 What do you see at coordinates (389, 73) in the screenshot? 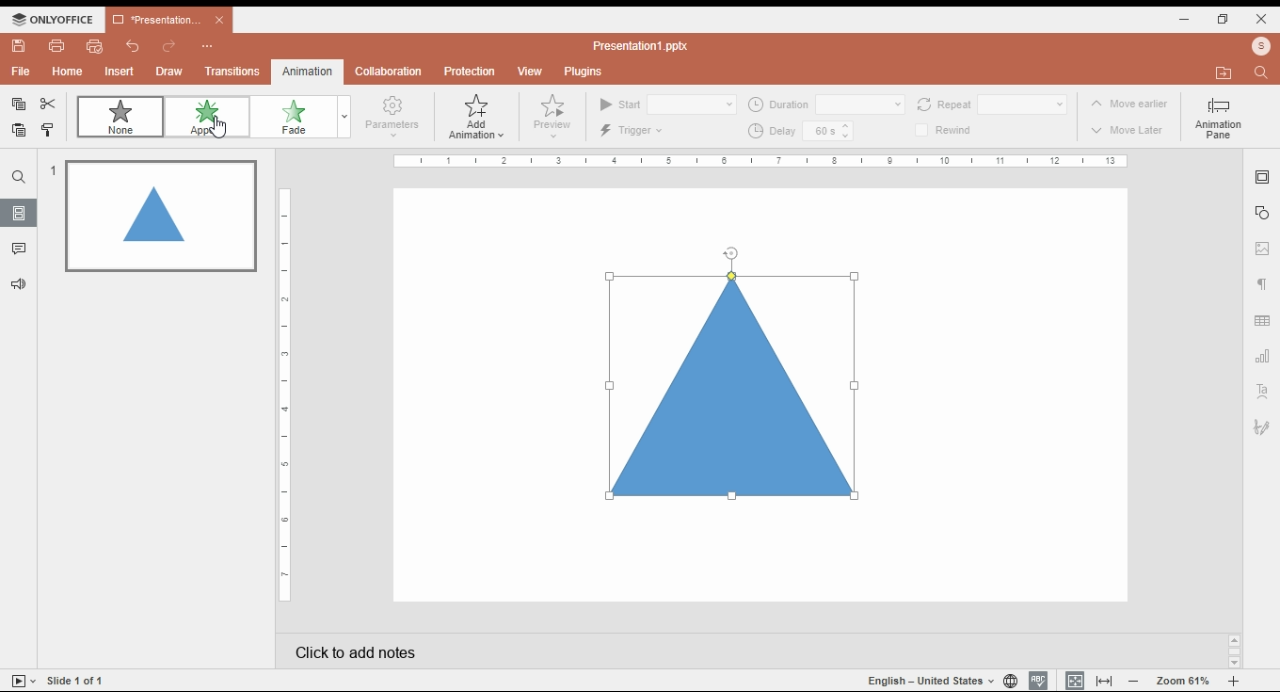
I see `collaboration` at bounding box center [389, 73].